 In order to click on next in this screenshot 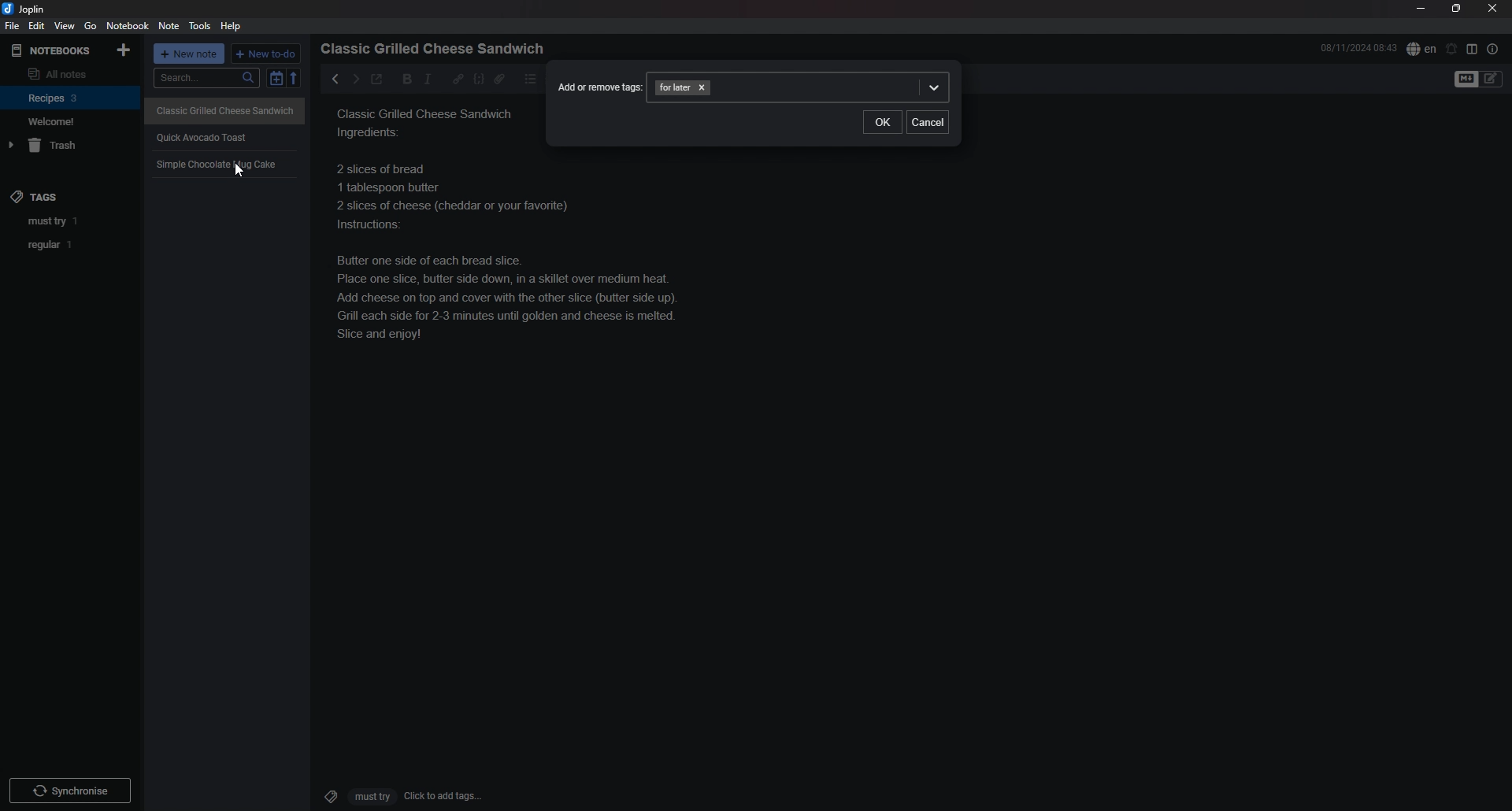, I will do `click(354, 79)`.